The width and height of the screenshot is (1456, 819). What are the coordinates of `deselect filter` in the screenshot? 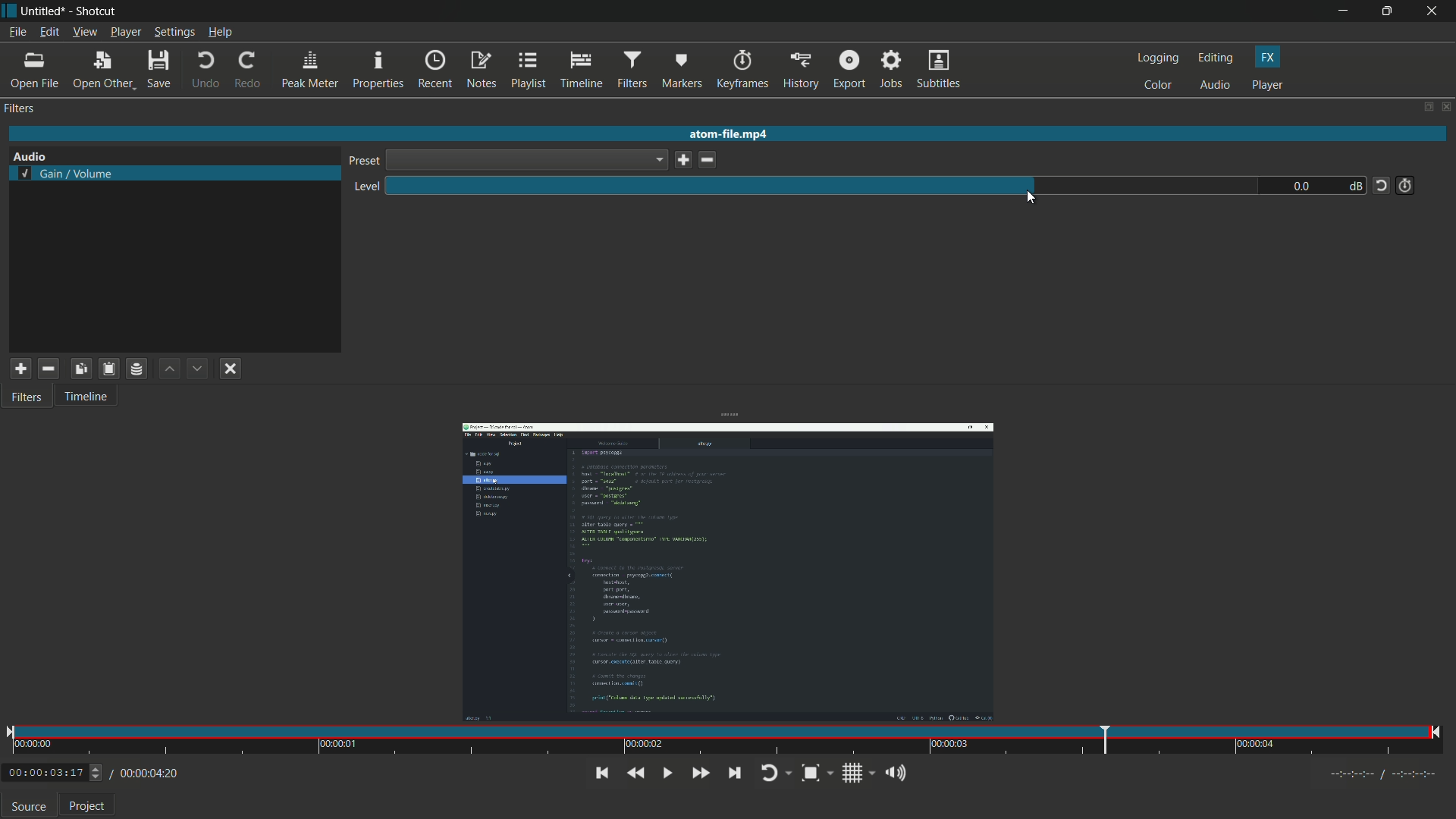 It's located at (231, 369).